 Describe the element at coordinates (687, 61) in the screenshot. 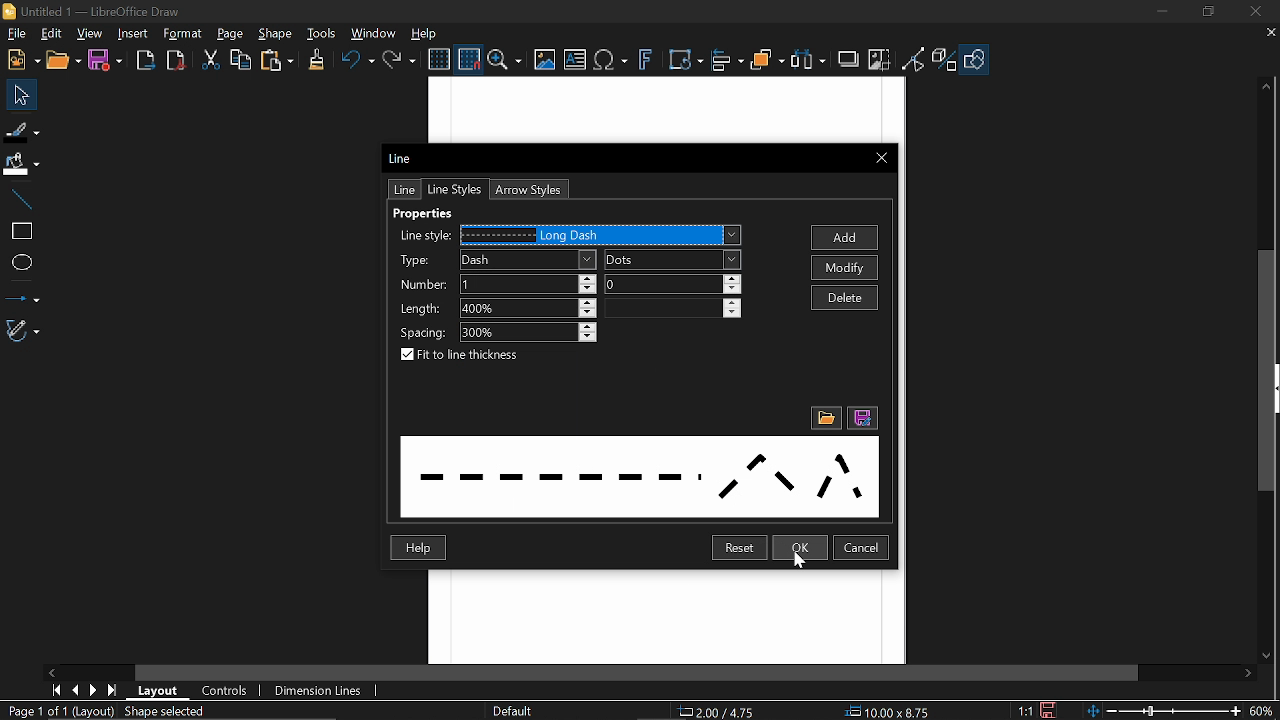

I see `Transformations` at that location.